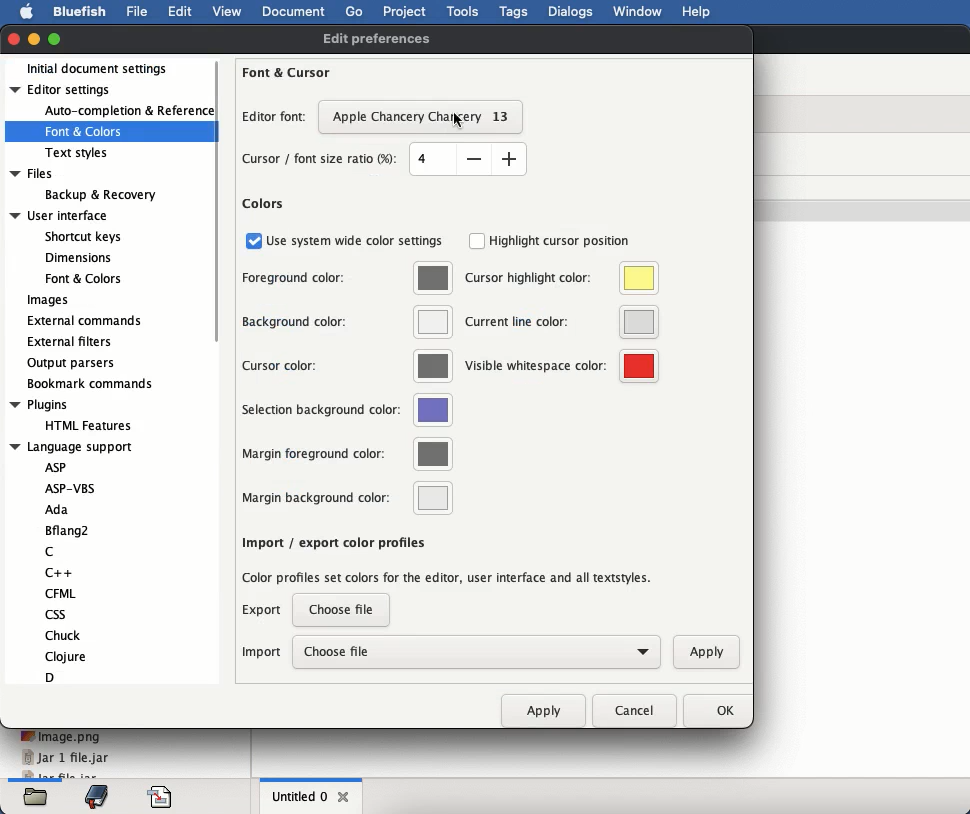 This screenshot has width=970, height=814. What do you see at coordinates (221, 200) in the screenshot?
I see `scroll` at bounding box center [221, 200].